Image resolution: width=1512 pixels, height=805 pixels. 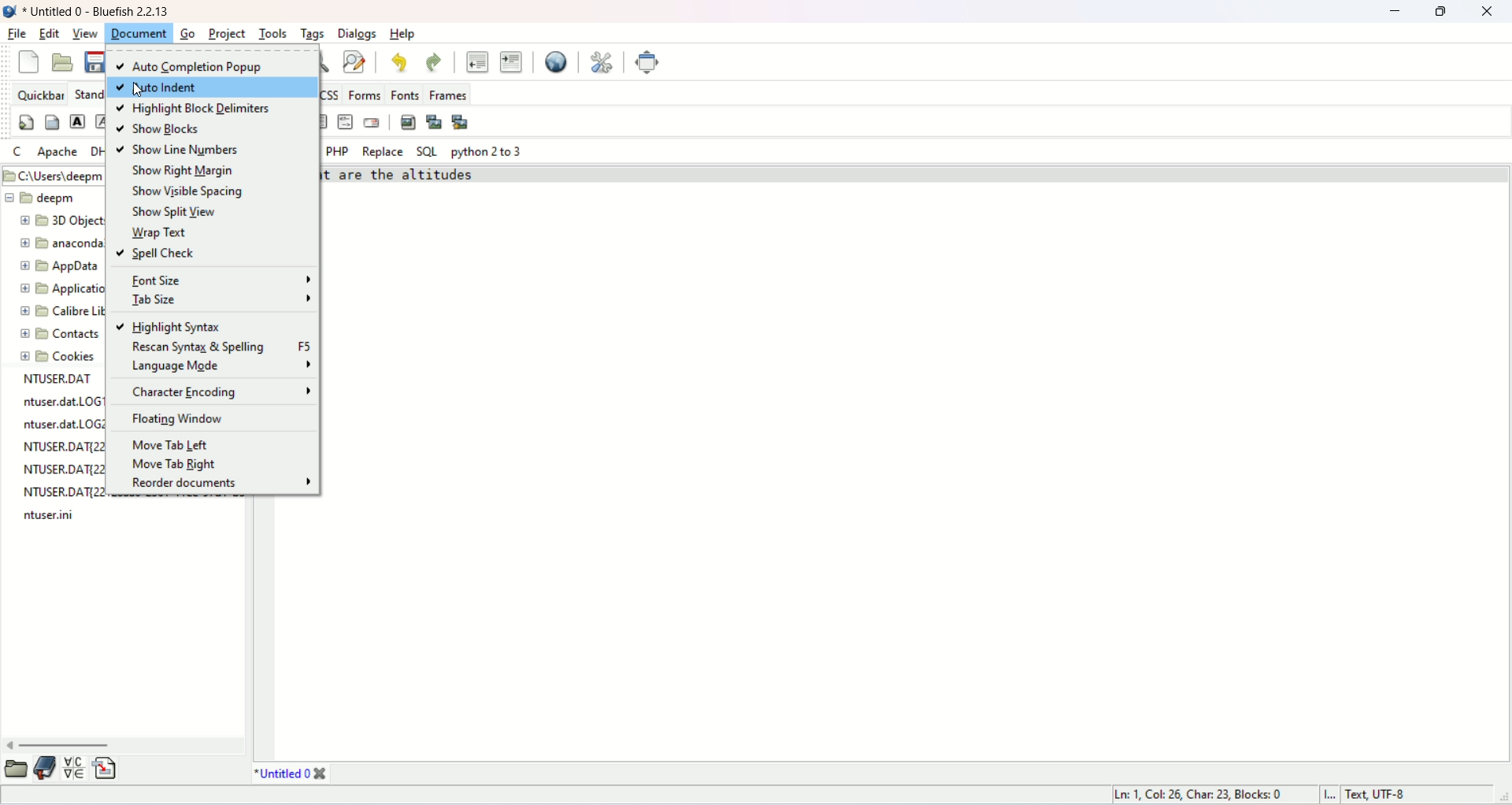 I want to click on PHP, so click(x=336, y=150).